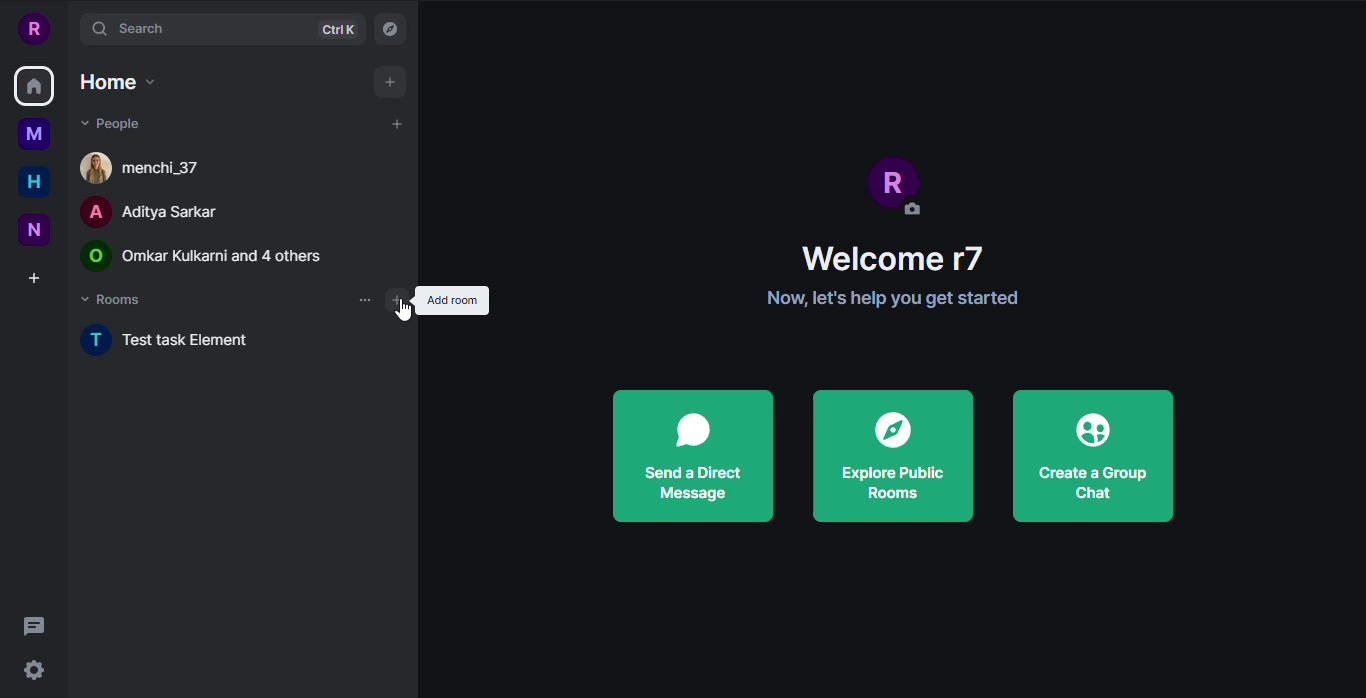 This screenshot has width=1366, height=698. I want to click on info, so click(894, 298).